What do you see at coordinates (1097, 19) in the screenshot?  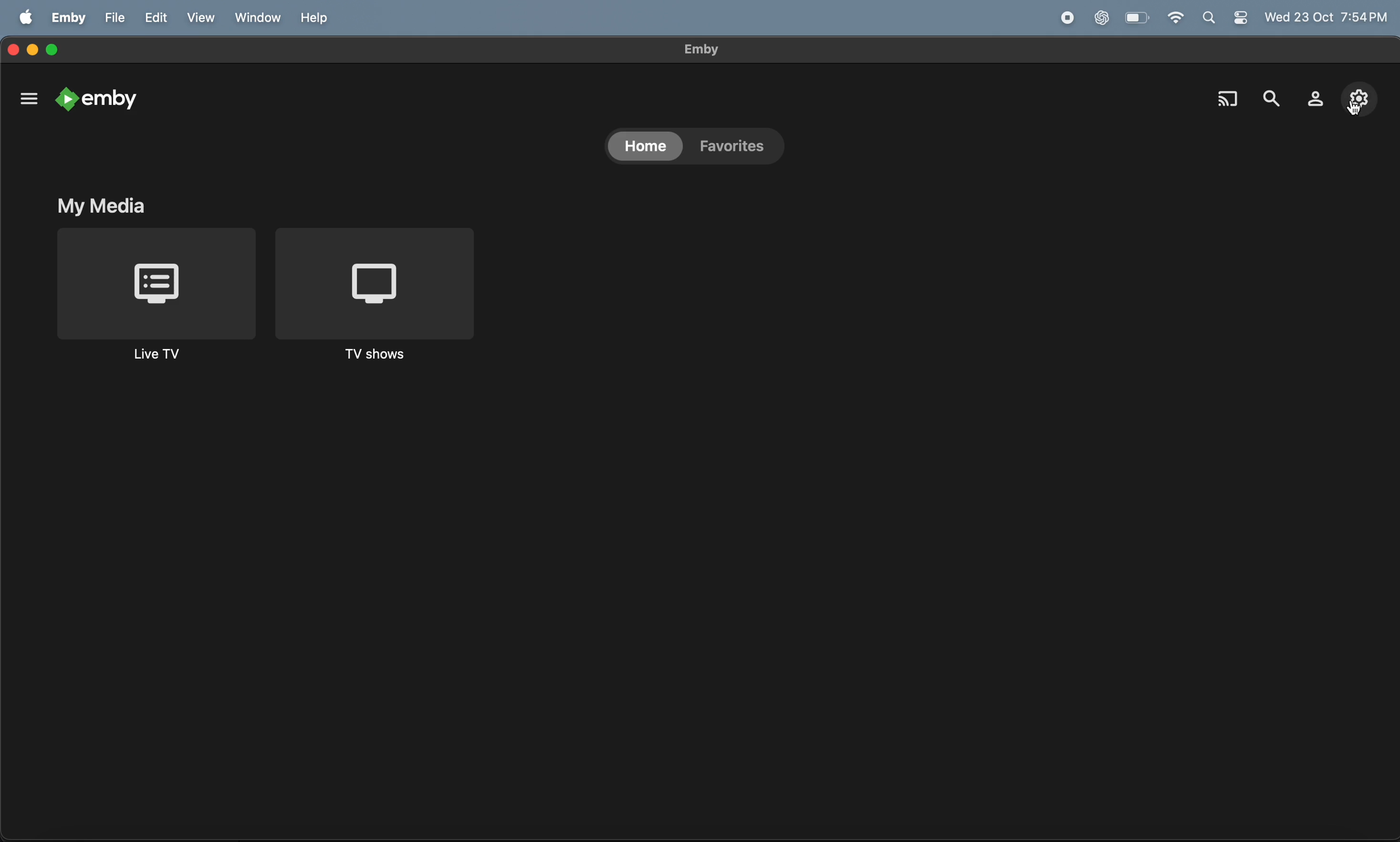 I see `chat gpt` at bounding box center [1097, 19].